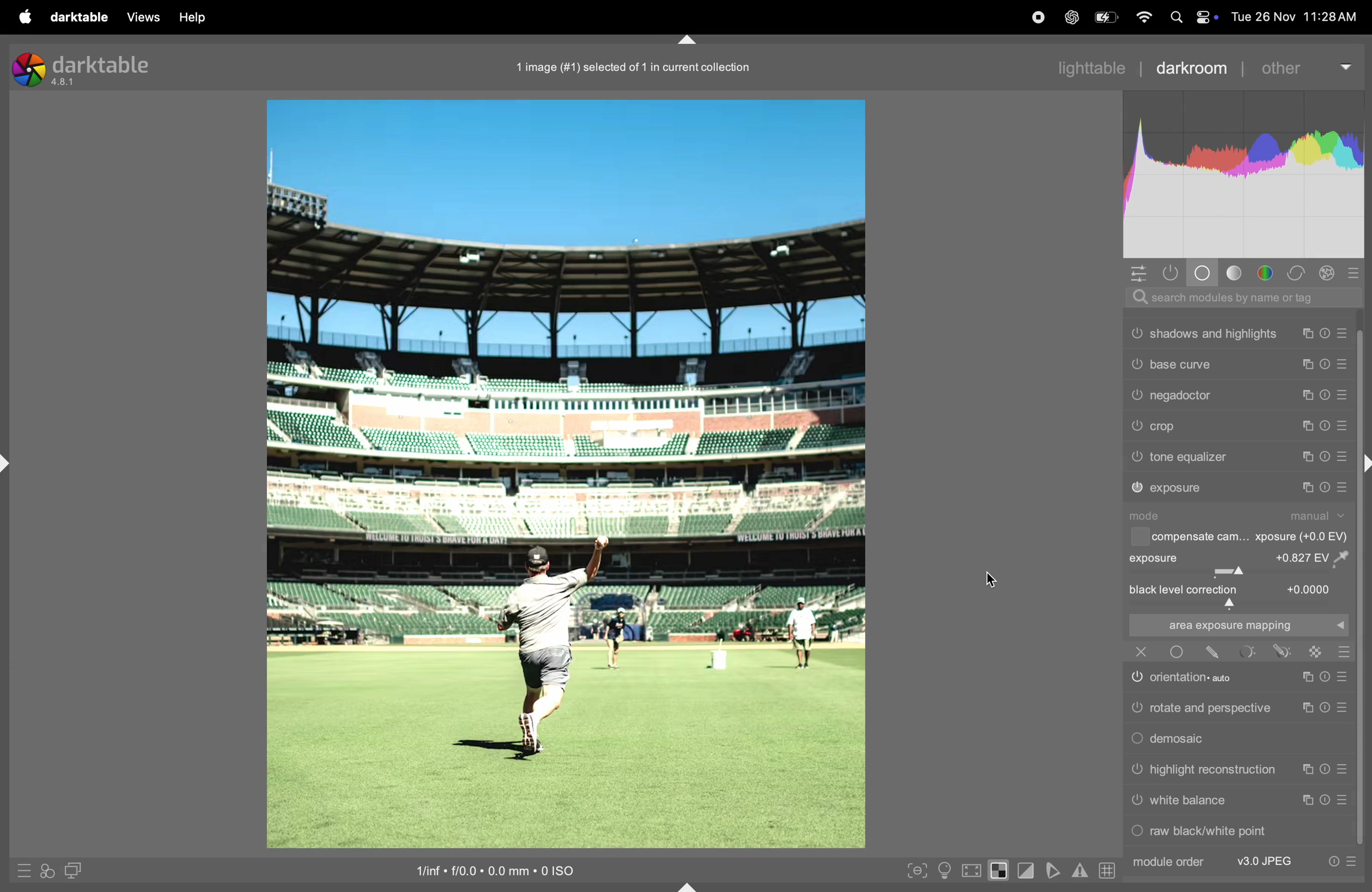 The image size is (1372, 892). What do you see at coordinates (1317, 557) in the screenshot?
I see `Value` at bounding box center [1317, 557].